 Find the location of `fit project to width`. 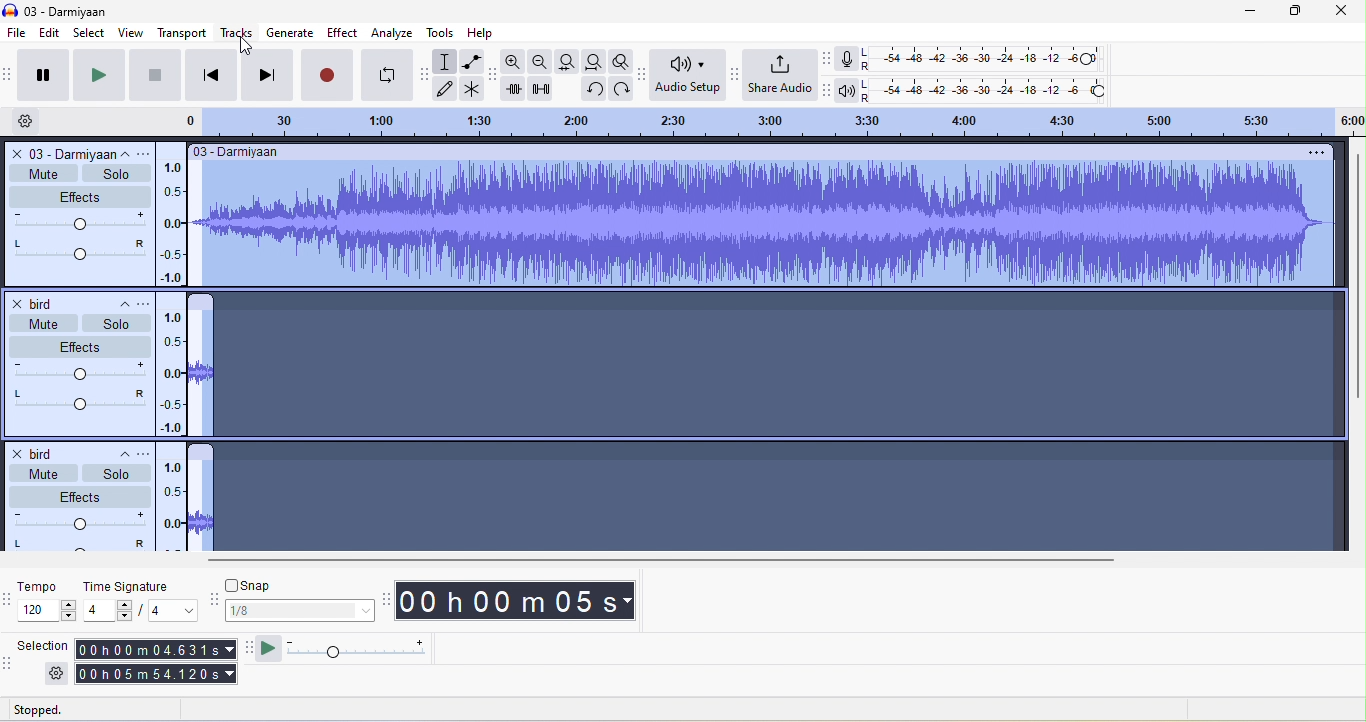

fit project to width is located at coordinates (595, 64).